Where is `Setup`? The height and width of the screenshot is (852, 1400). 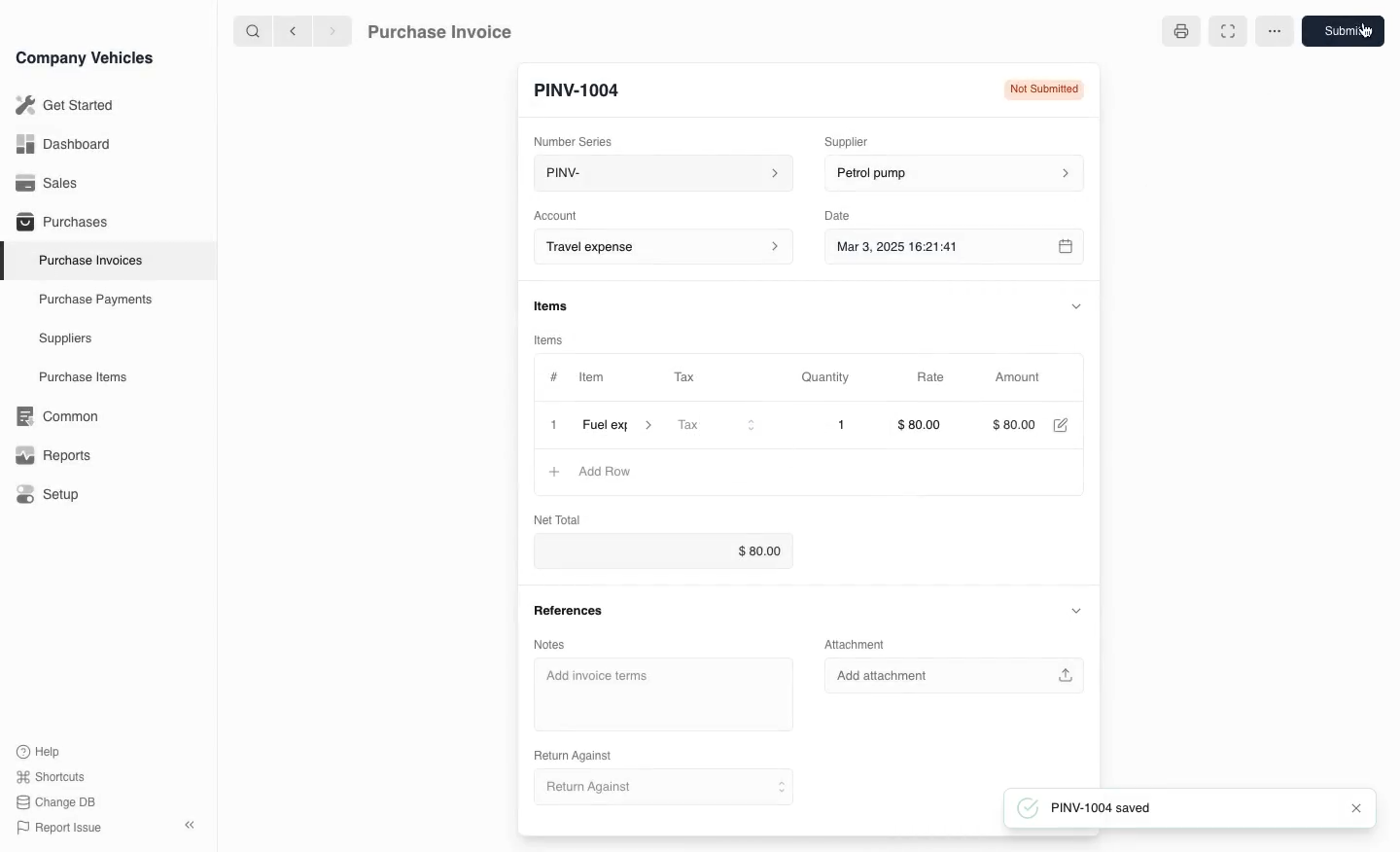
Setup is located at coordinates (52, 495).